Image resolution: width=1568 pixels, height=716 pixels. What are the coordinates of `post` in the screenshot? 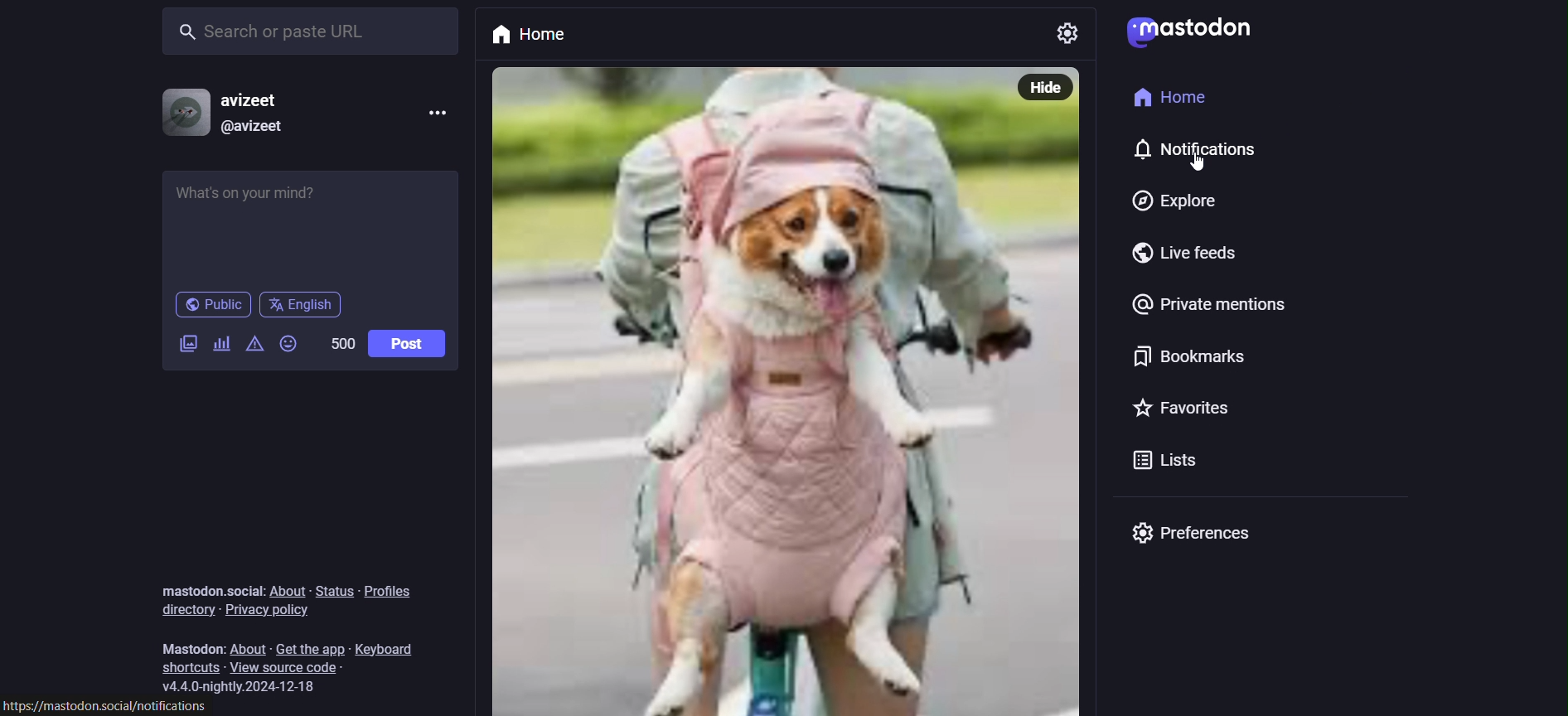 It's located at (407, 344).